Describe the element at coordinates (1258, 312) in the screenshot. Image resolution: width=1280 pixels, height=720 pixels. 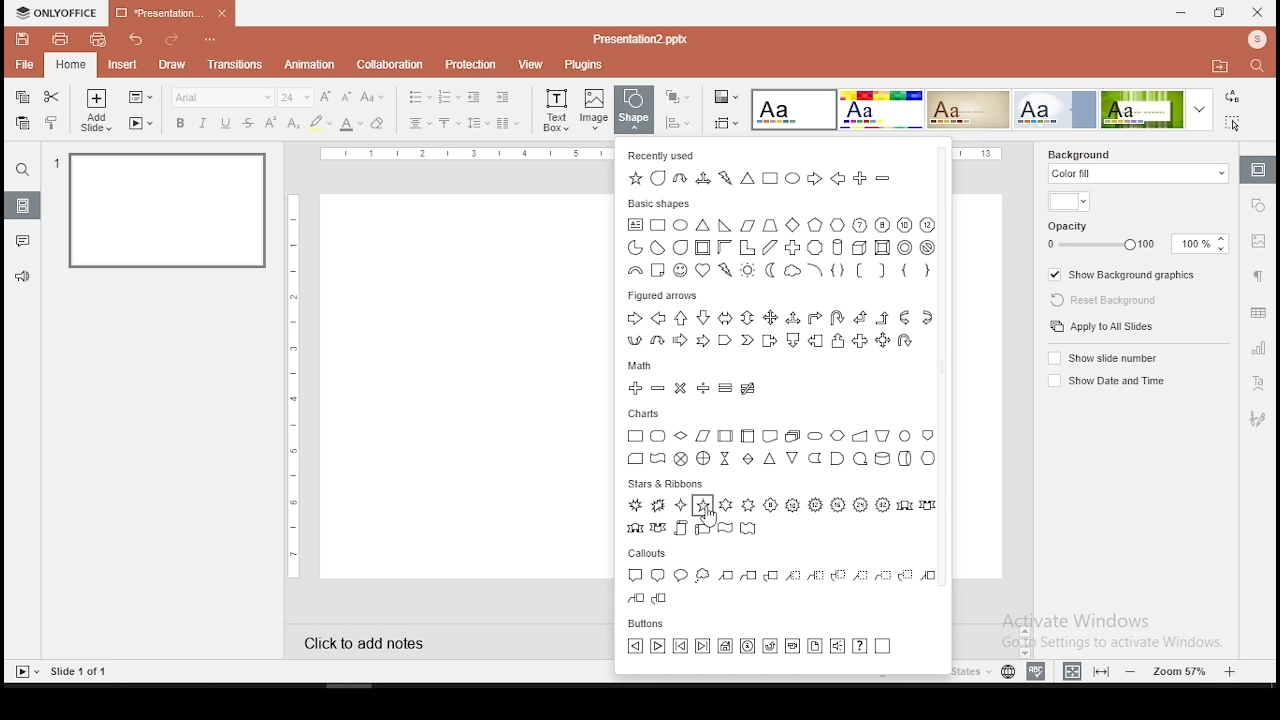
I see `table settings` at that location.